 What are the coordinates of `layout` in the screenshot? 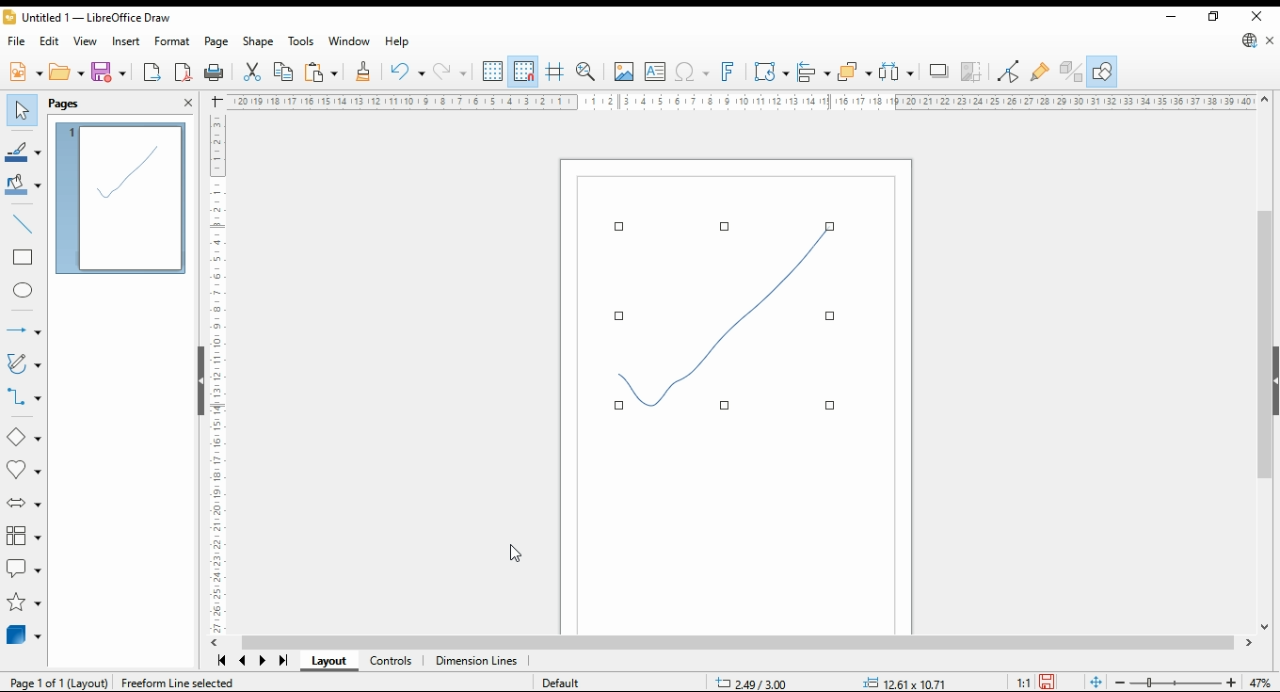 It's located at (329, 660).